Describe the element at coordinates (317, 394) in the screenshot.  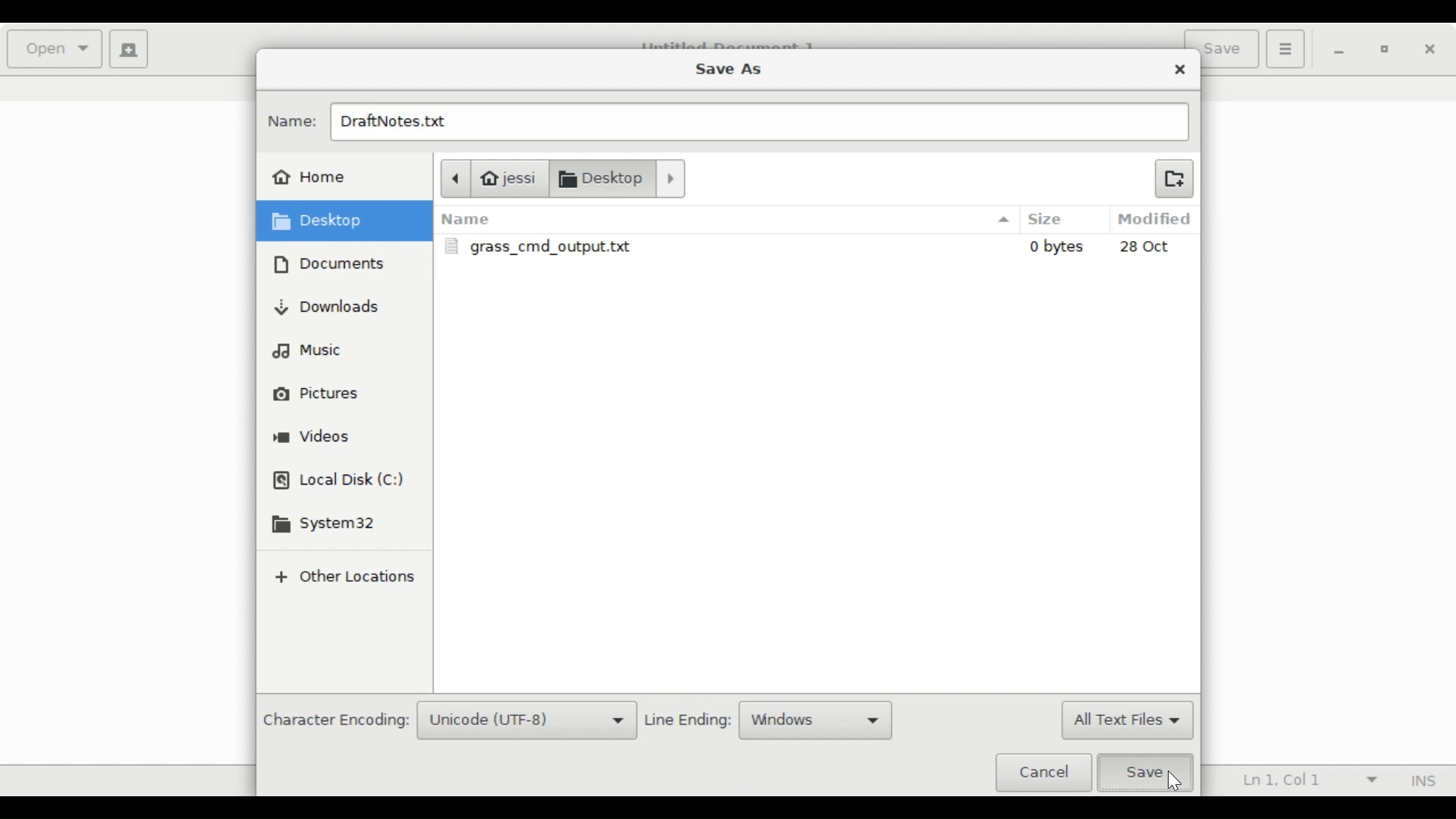
I see `Pictures` at that location.